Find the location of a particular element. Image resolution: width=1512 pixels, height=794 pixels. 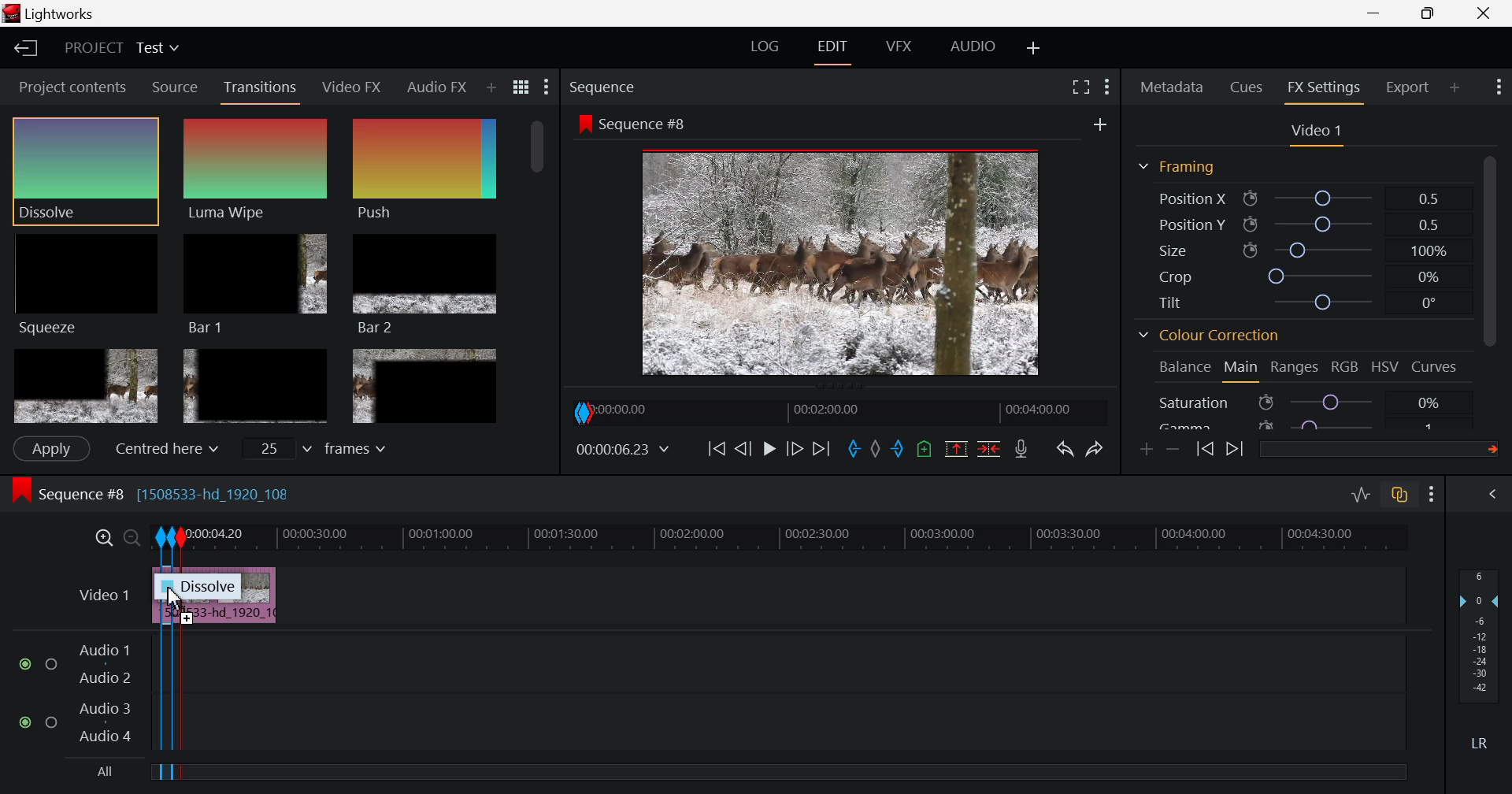

FX Settings Open is located at coordinates (1324, 90).